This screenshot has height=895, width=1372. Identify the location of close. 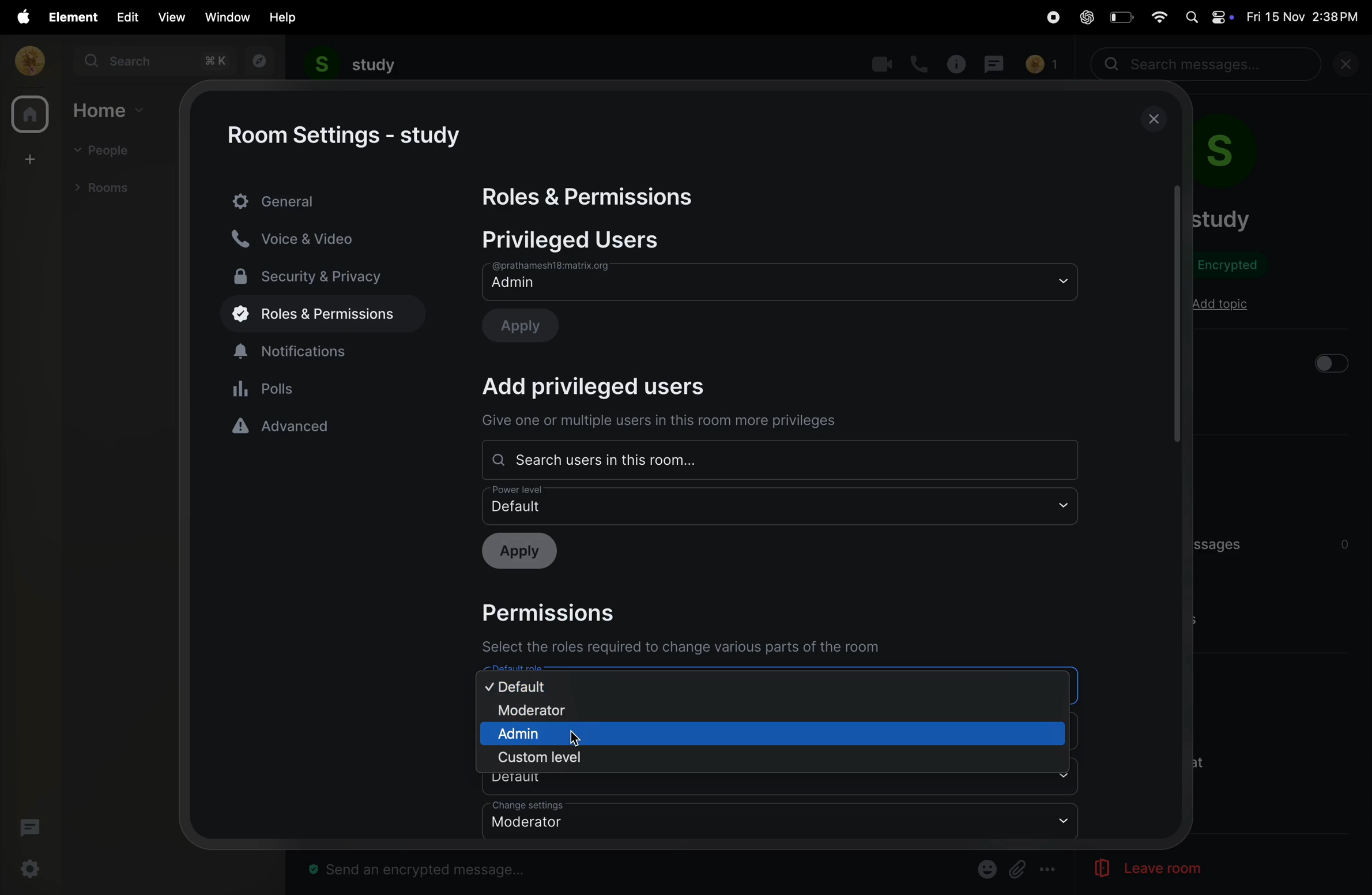
(1155, 119).